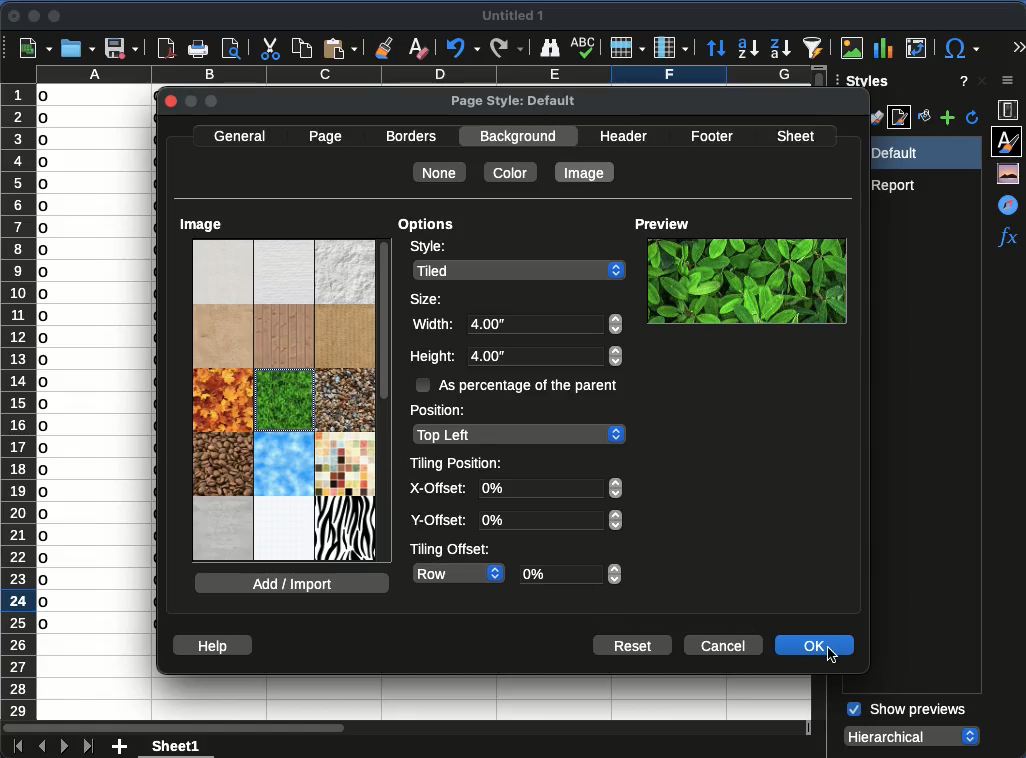 The width and height of the screenshot is (1026, 758). Describe the element at coordinates (233, 47) in the screenshot. I see `print preview` at that location.